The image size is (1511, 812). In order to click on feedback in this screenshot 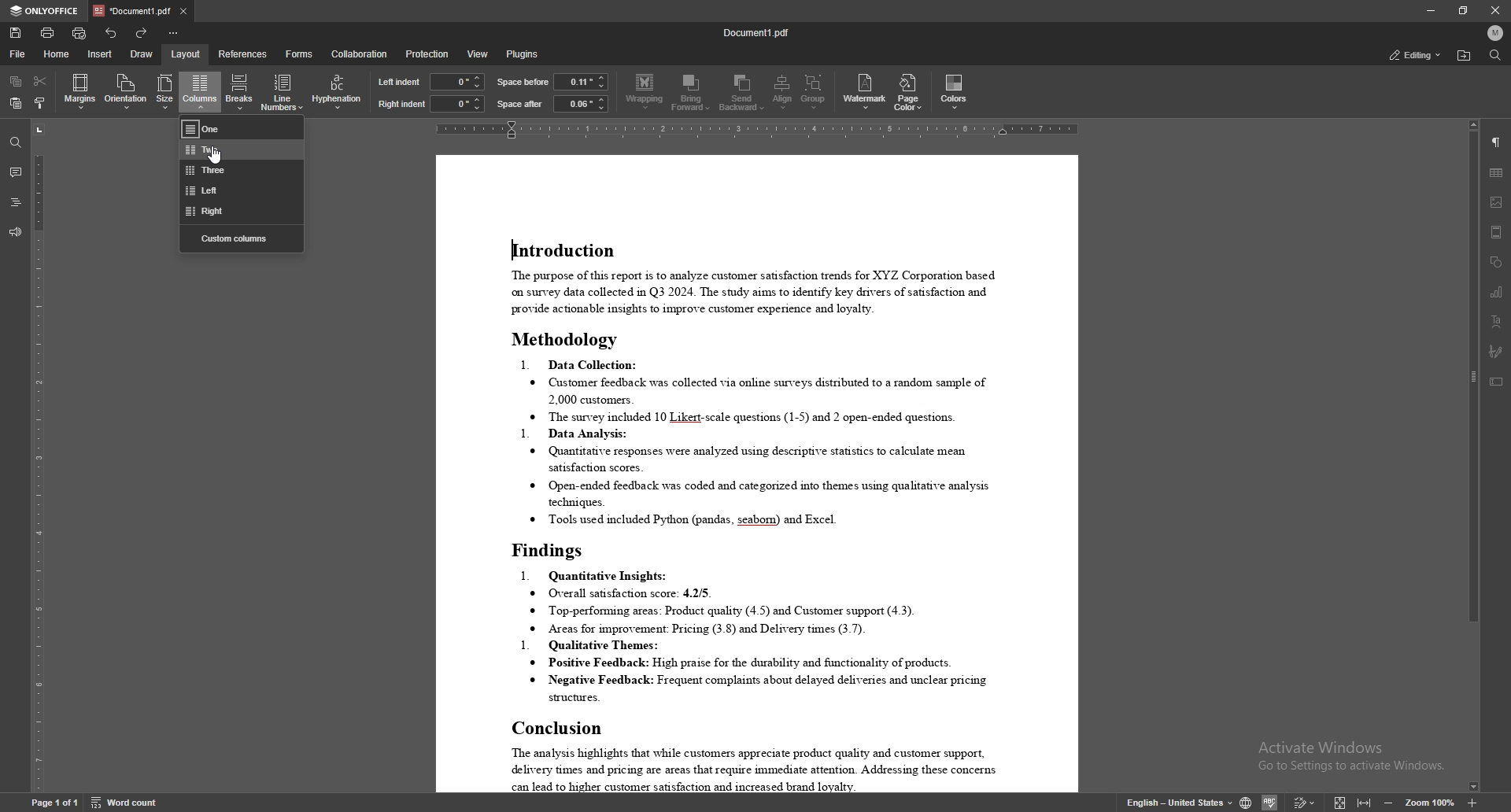, I will do `click(16, 232)`.